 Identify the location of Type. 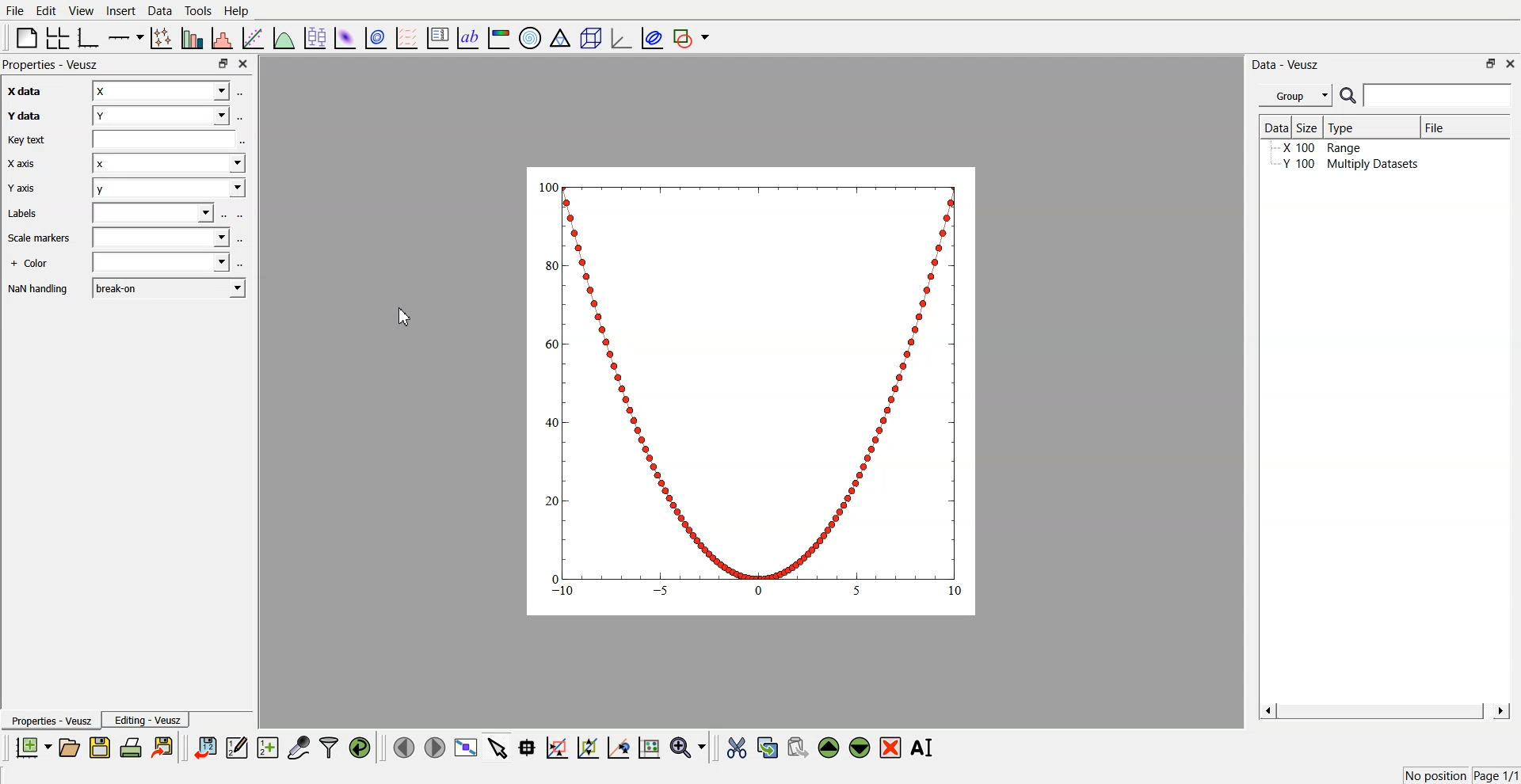
(1369, 126).